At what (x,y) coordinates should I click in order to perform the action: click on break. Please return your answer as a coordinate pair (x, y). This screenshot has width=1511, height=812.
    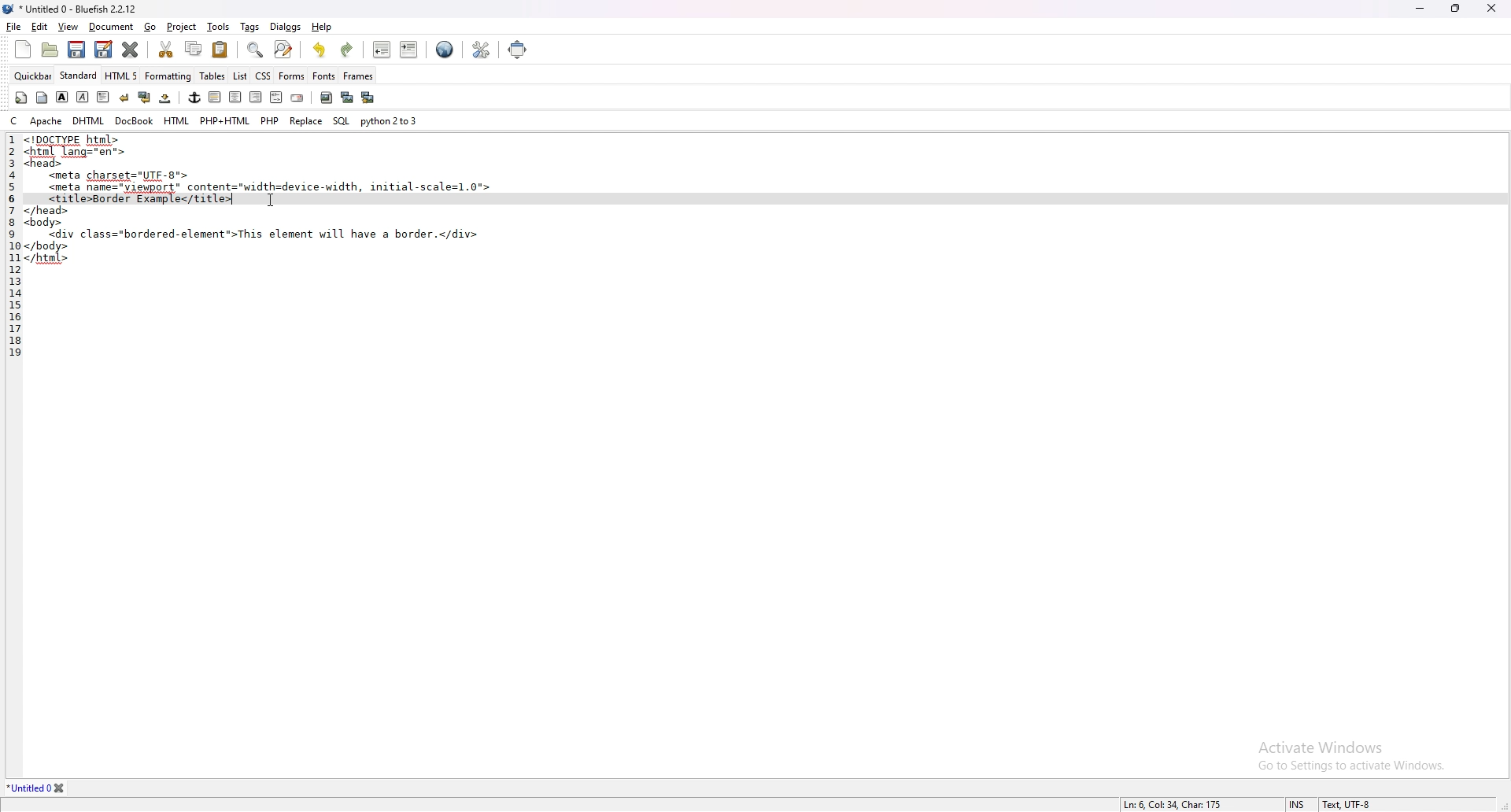
    Looking at the image, I should click on (124, 98).